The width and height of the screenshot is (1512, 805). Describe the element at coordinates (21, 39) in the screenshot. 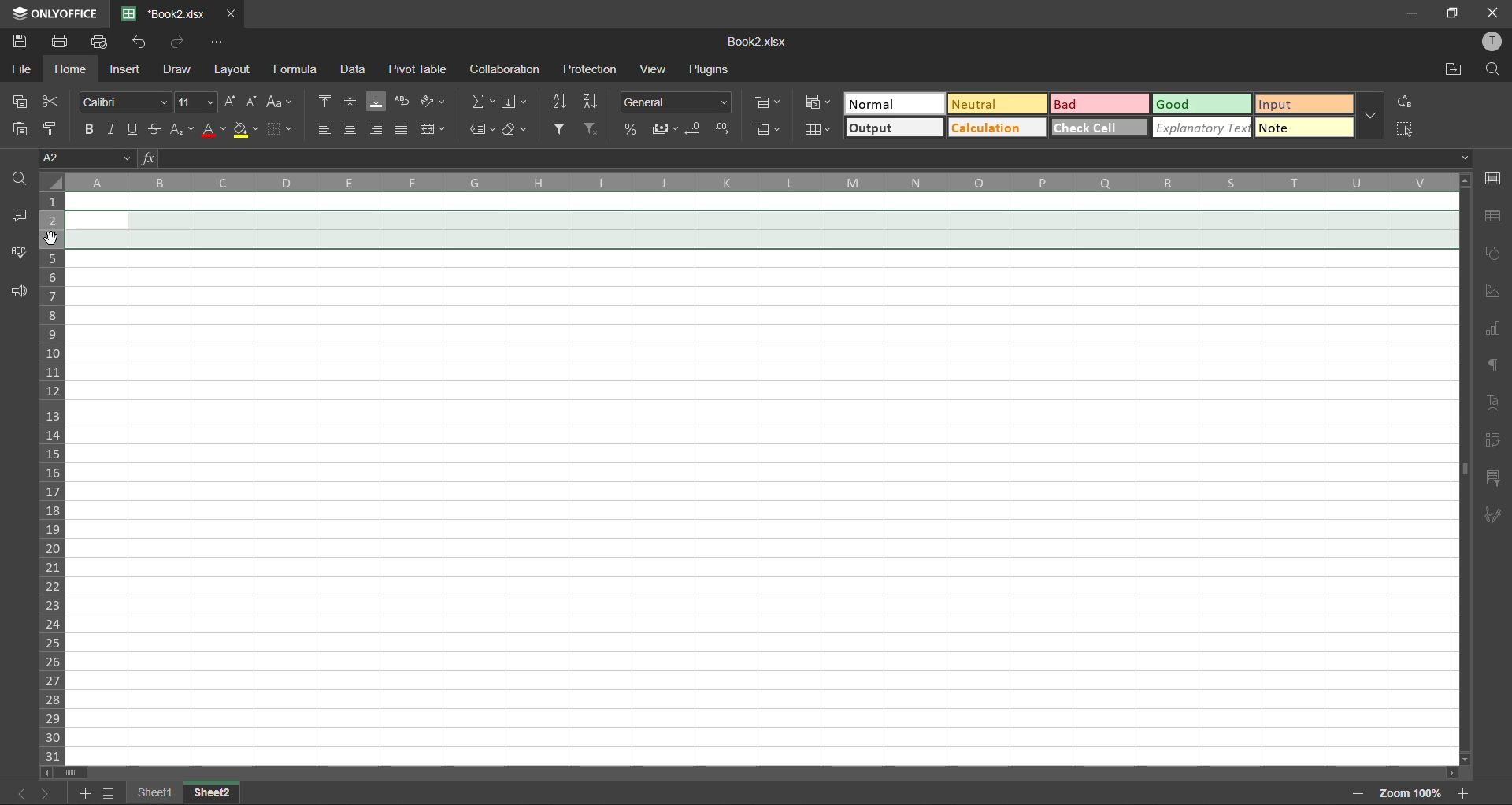

I see `save` at that location.